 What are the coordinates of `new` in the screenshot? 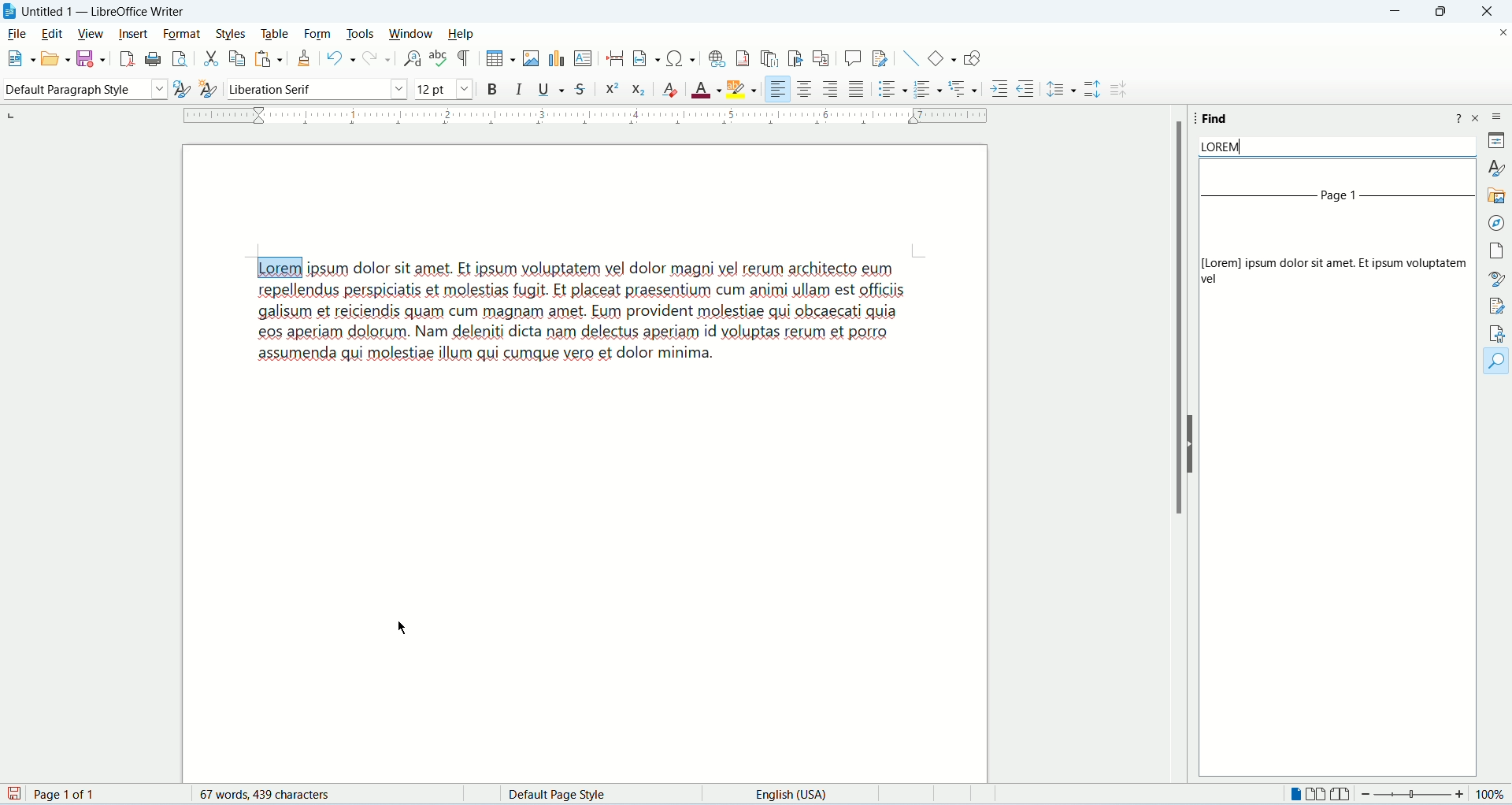 It's located at (12, 58).